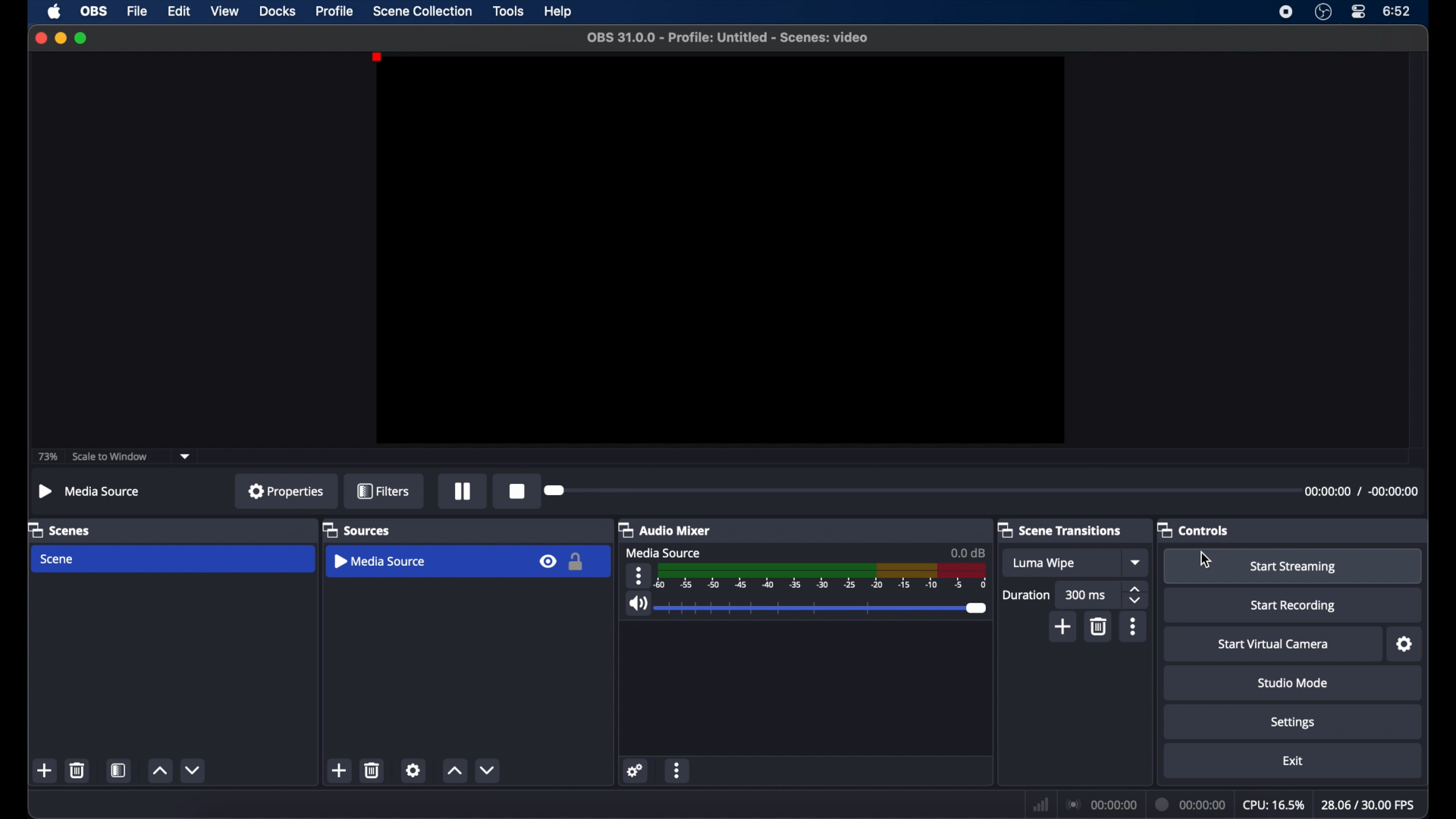  Describe the element at coordinates (1086, 595) in the screenshot. I see `300 ms` at that location.